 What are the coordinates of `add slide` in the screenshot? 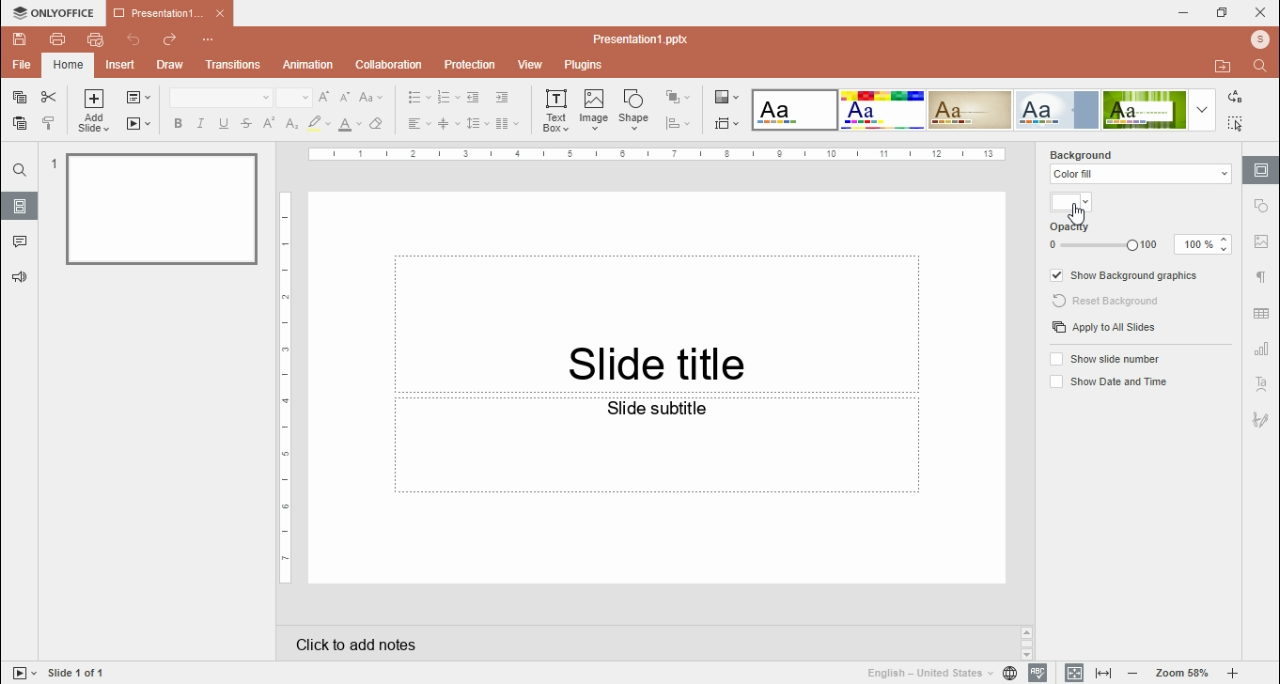 It's located at (93, 111).